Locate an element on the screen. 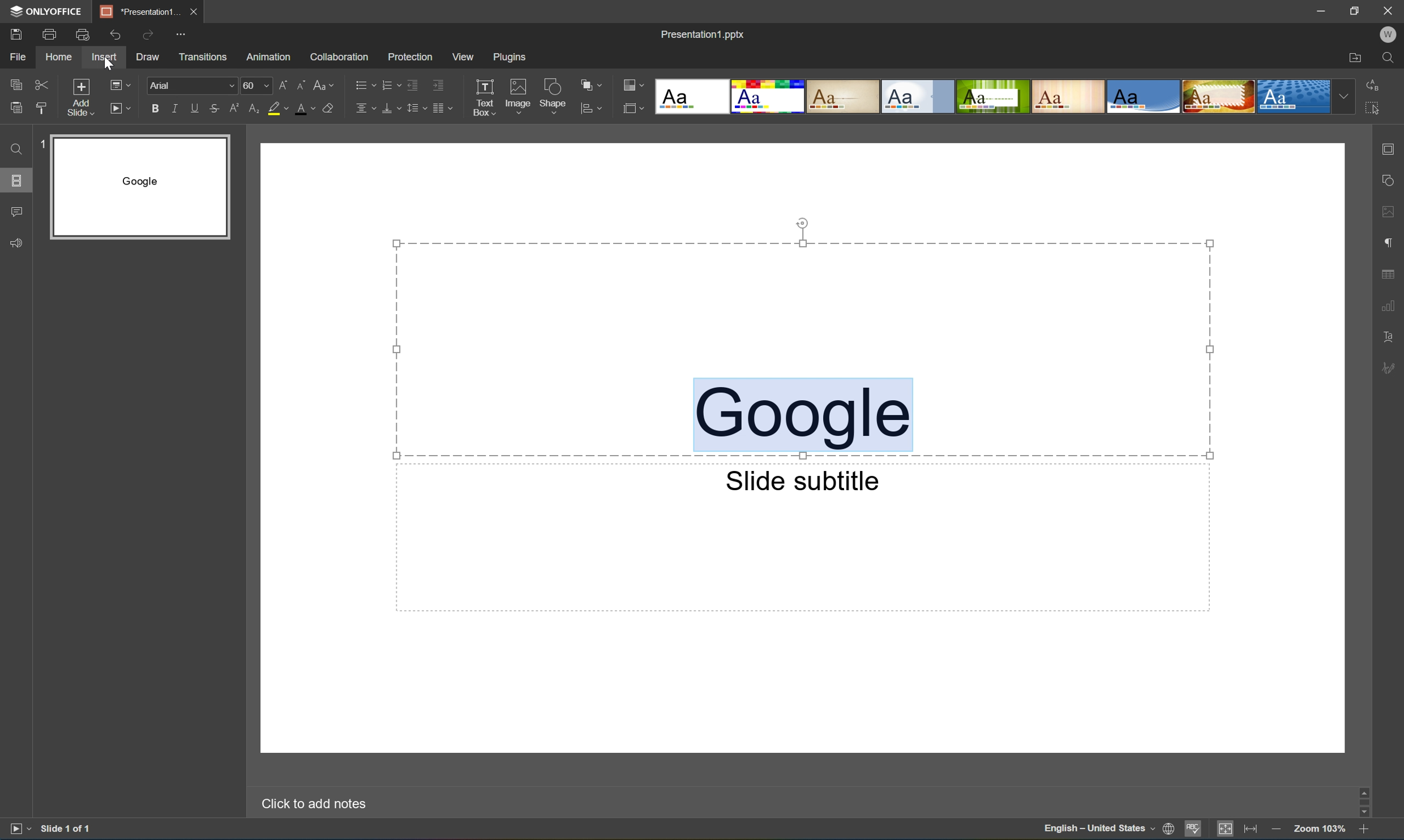  Fit to slide is located at coordinates (1228, 829).